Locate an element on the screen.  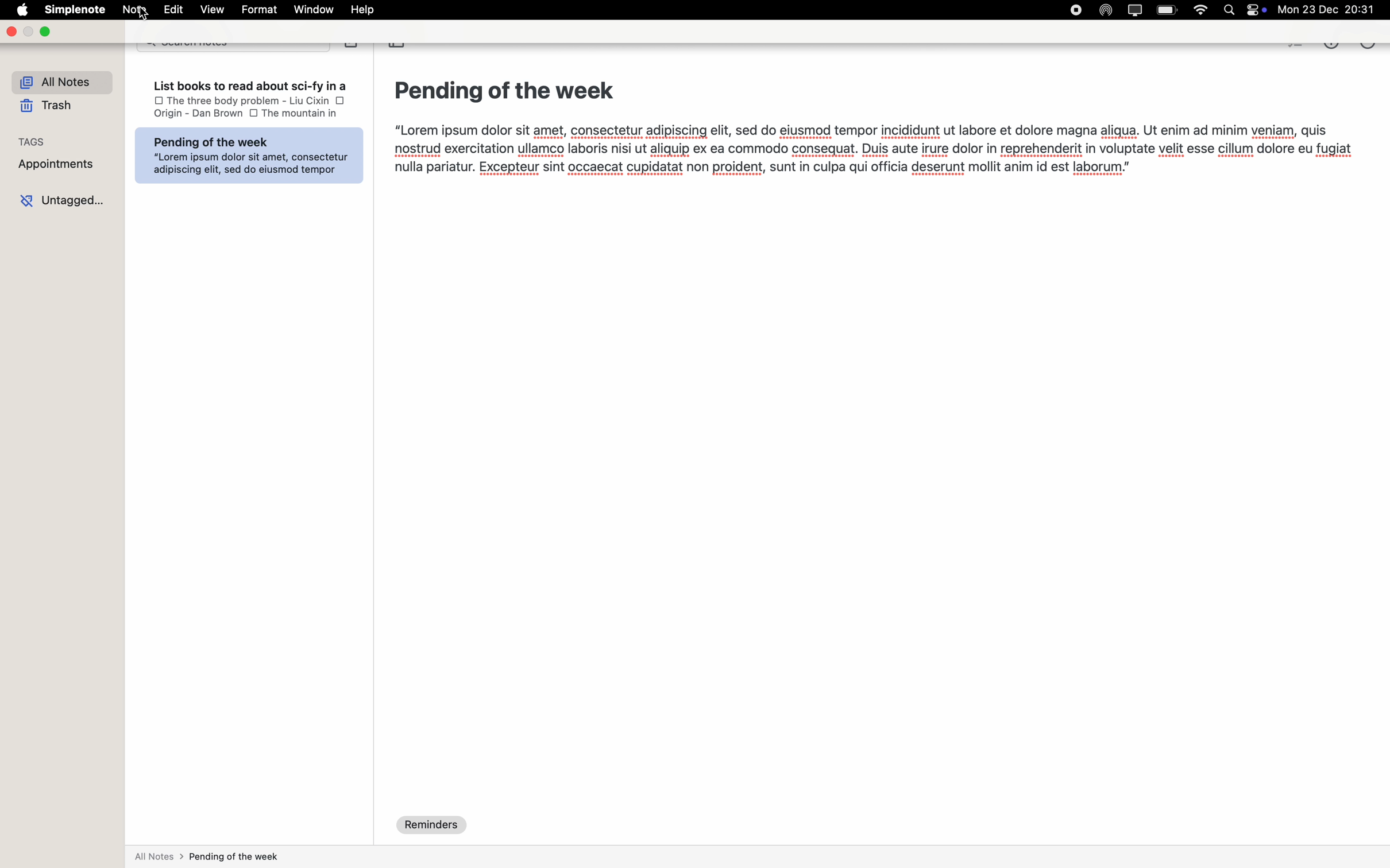
more options is located at coordinates (1368, 48).